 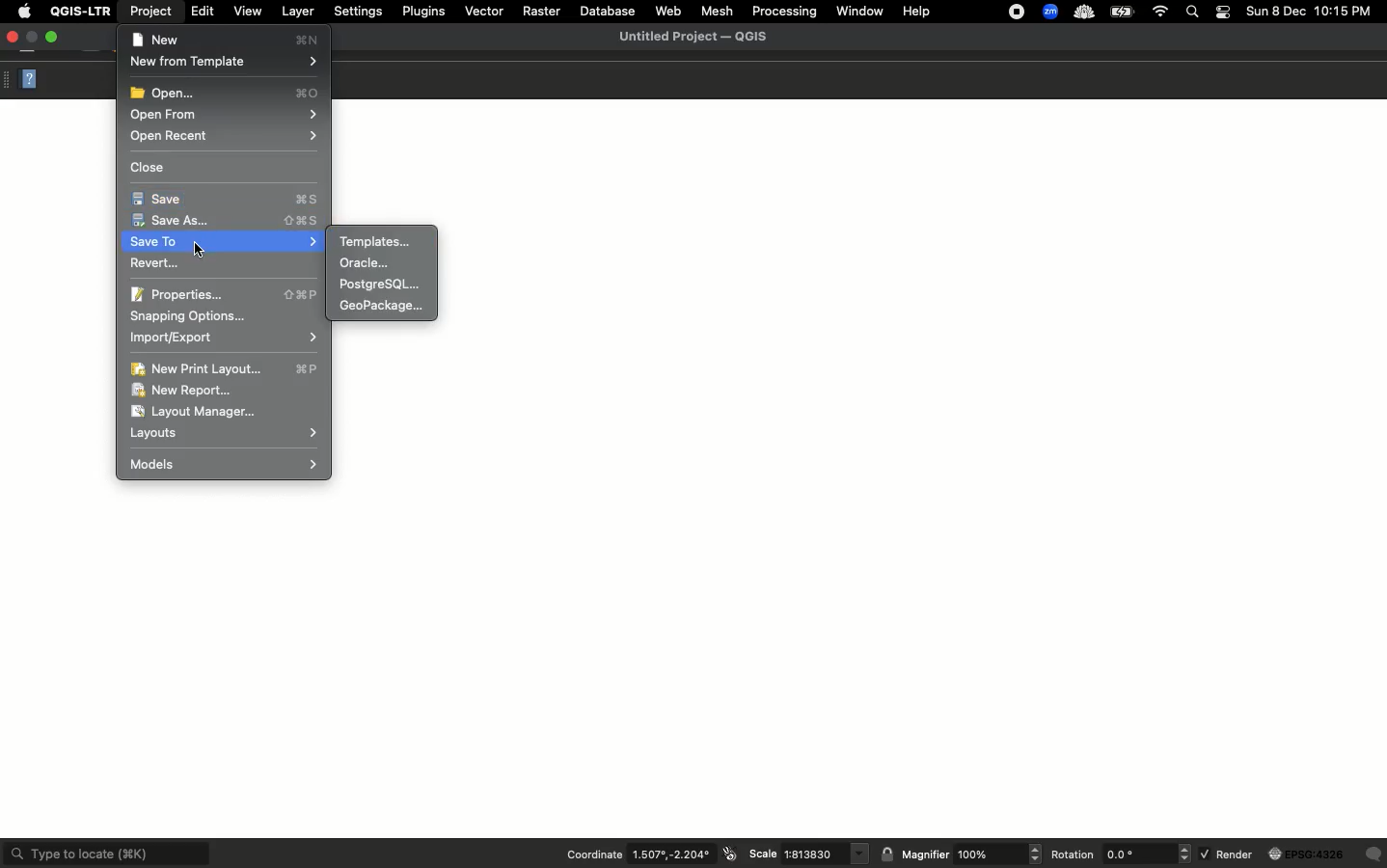 What do you see at coordinates (224, 338) in the screenshot?
I see `Import export` at bounding box center [224, 338].